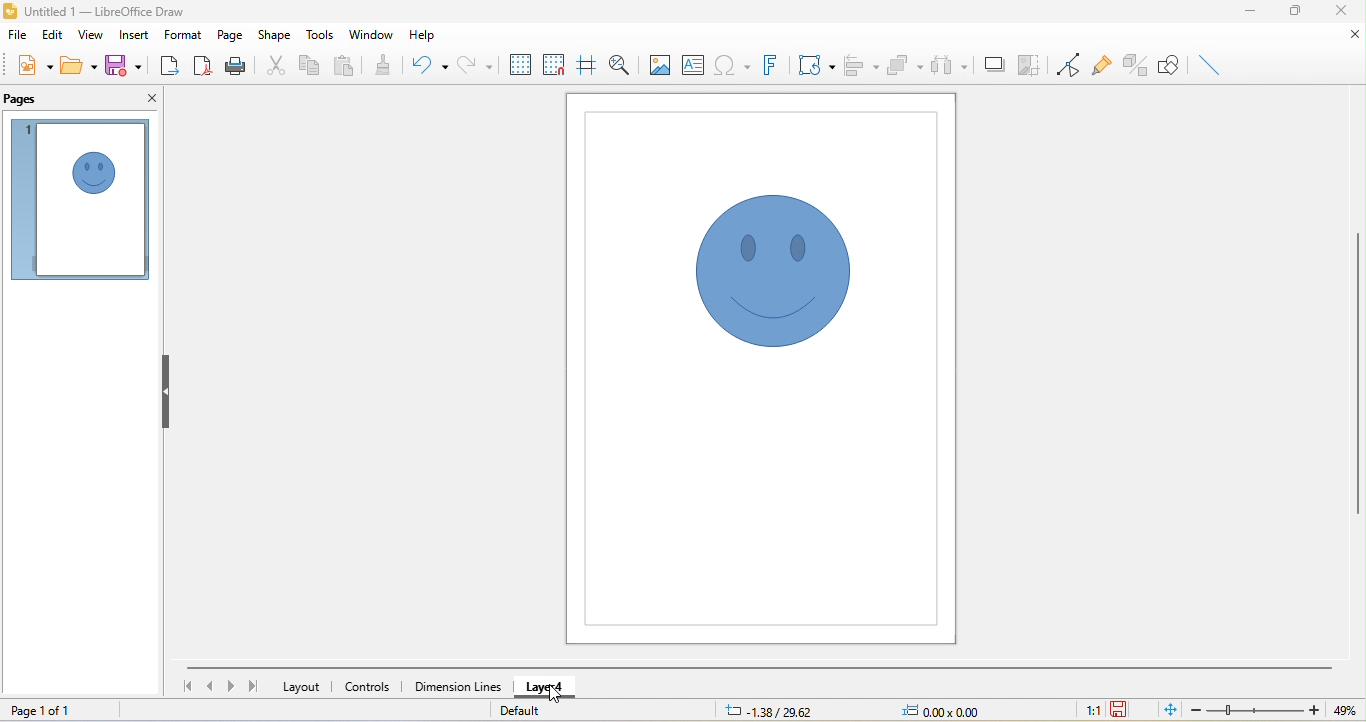  Describe the element at coordinates (1165, 710) in the screenshot. I see `fit to the current window` at that location.